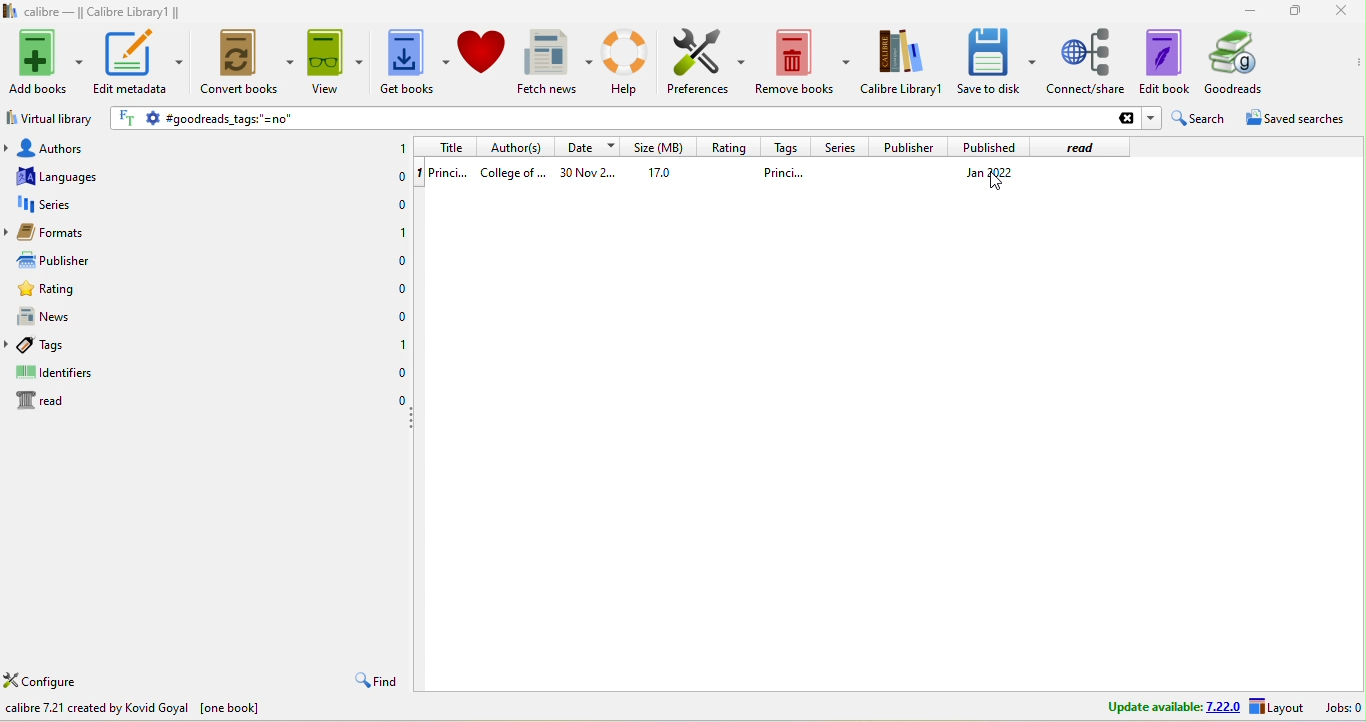 The image size is (1366, 722). I want to click on edit to book, so click(1164, 62).